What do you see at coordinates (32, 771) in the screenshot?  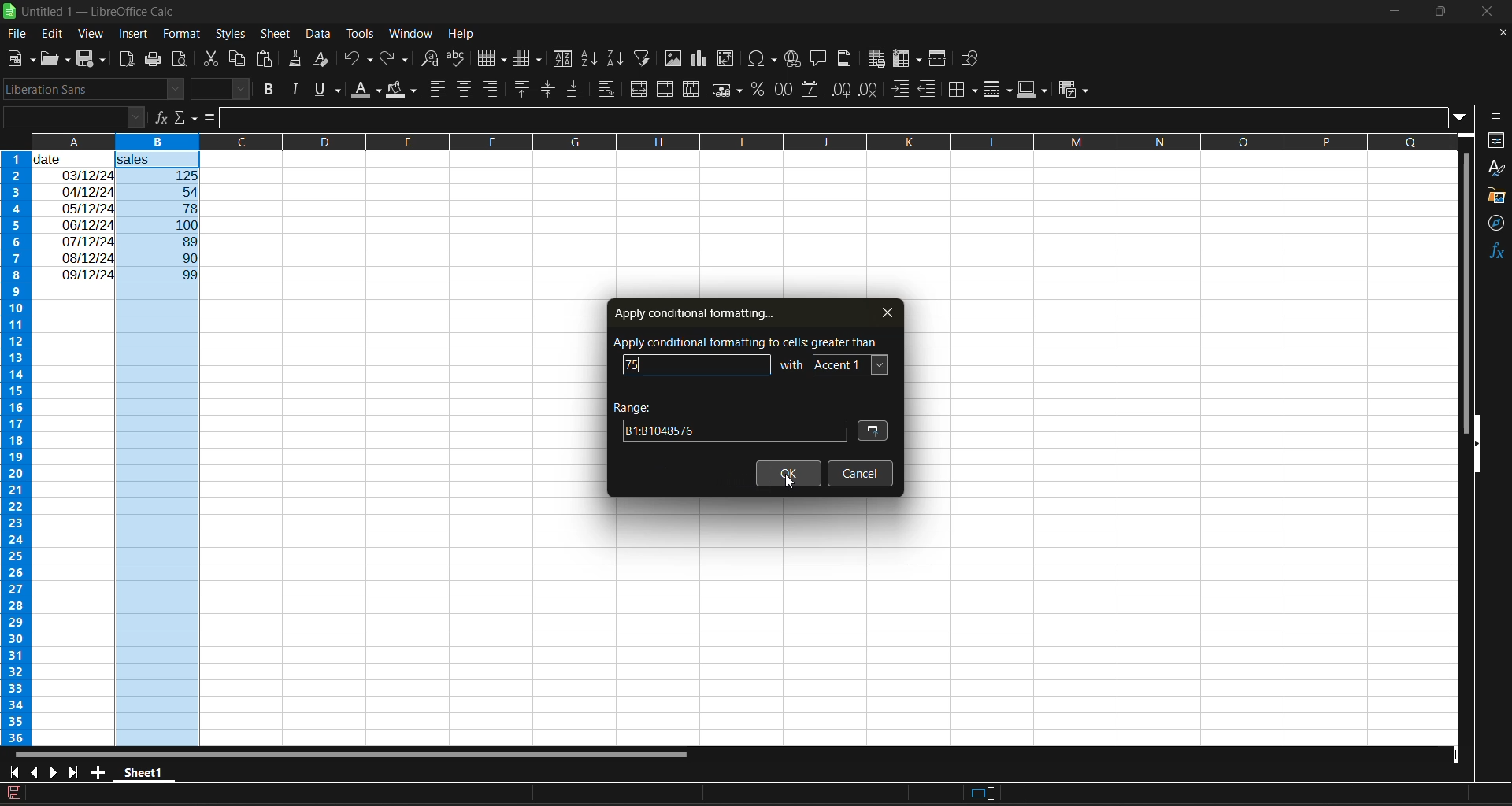 I see `scroll to previous sheet` at bounding box center [32, 771].